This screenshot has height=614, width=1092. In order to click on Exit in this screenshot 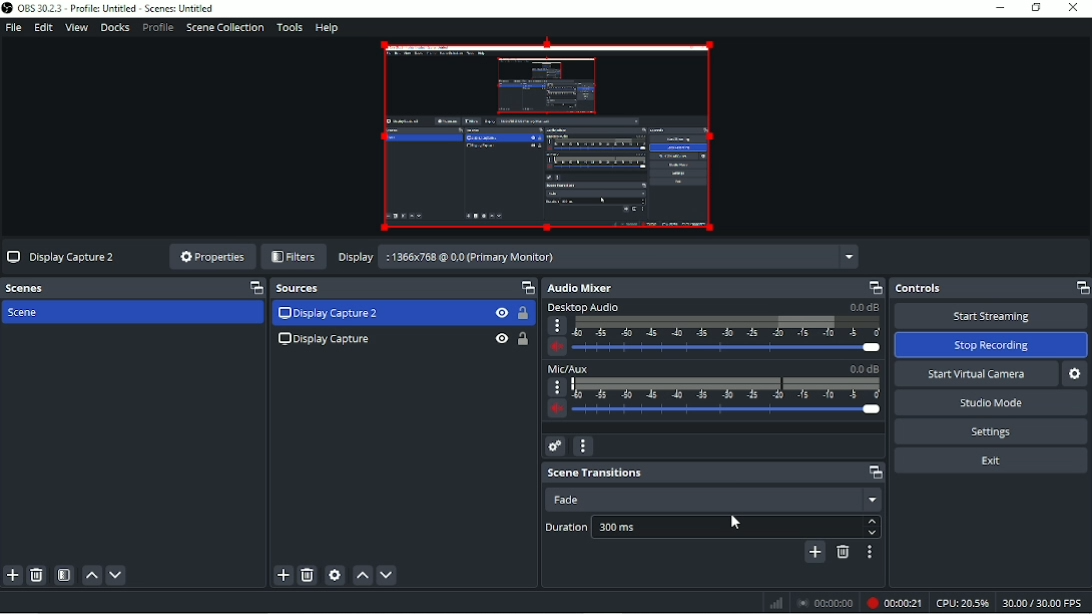, I will do `click(991, 461)`.